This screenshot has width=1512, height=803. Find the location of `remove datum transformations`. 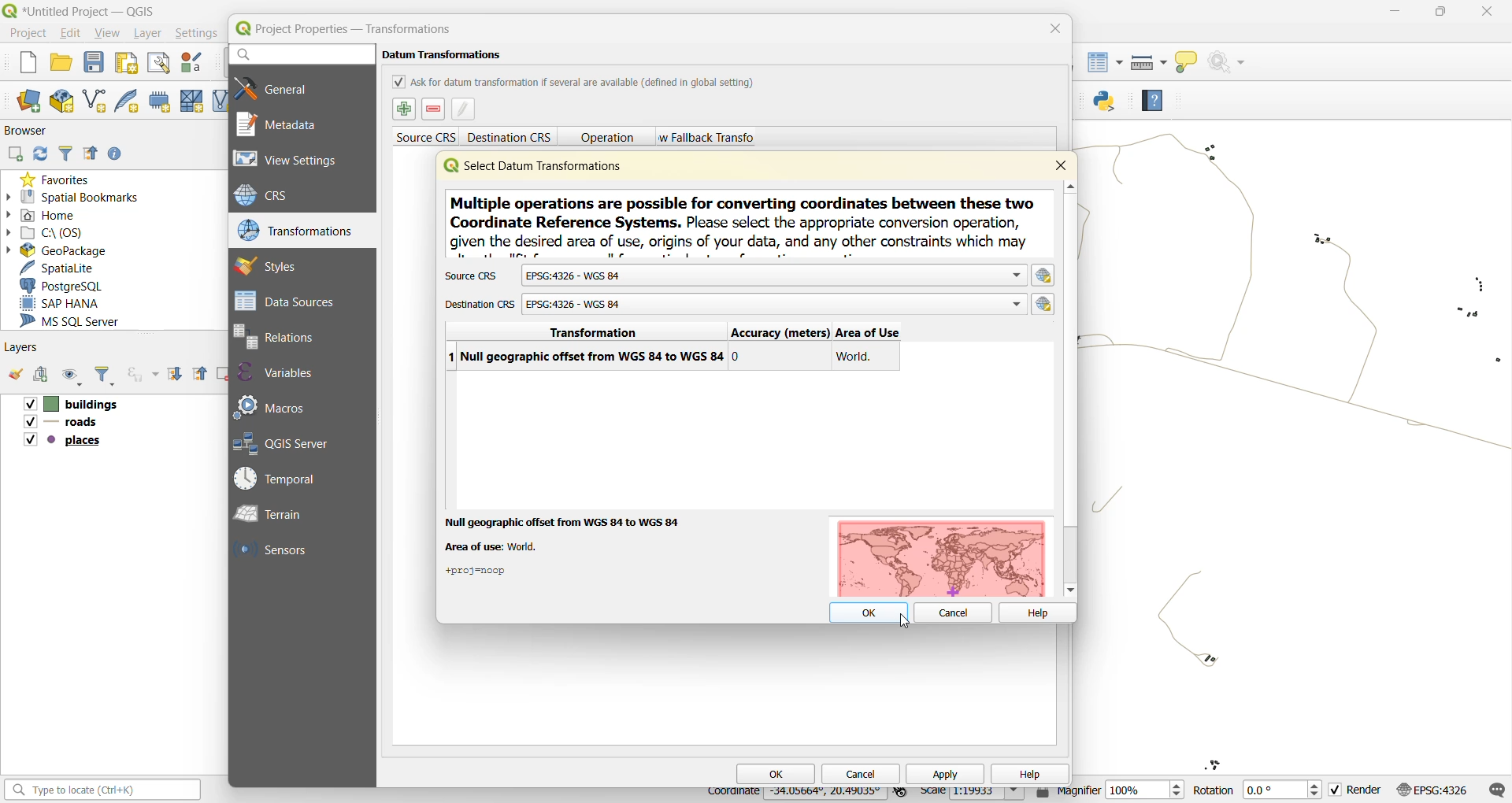

remove datum transformations is located at coordinates (434, 109).